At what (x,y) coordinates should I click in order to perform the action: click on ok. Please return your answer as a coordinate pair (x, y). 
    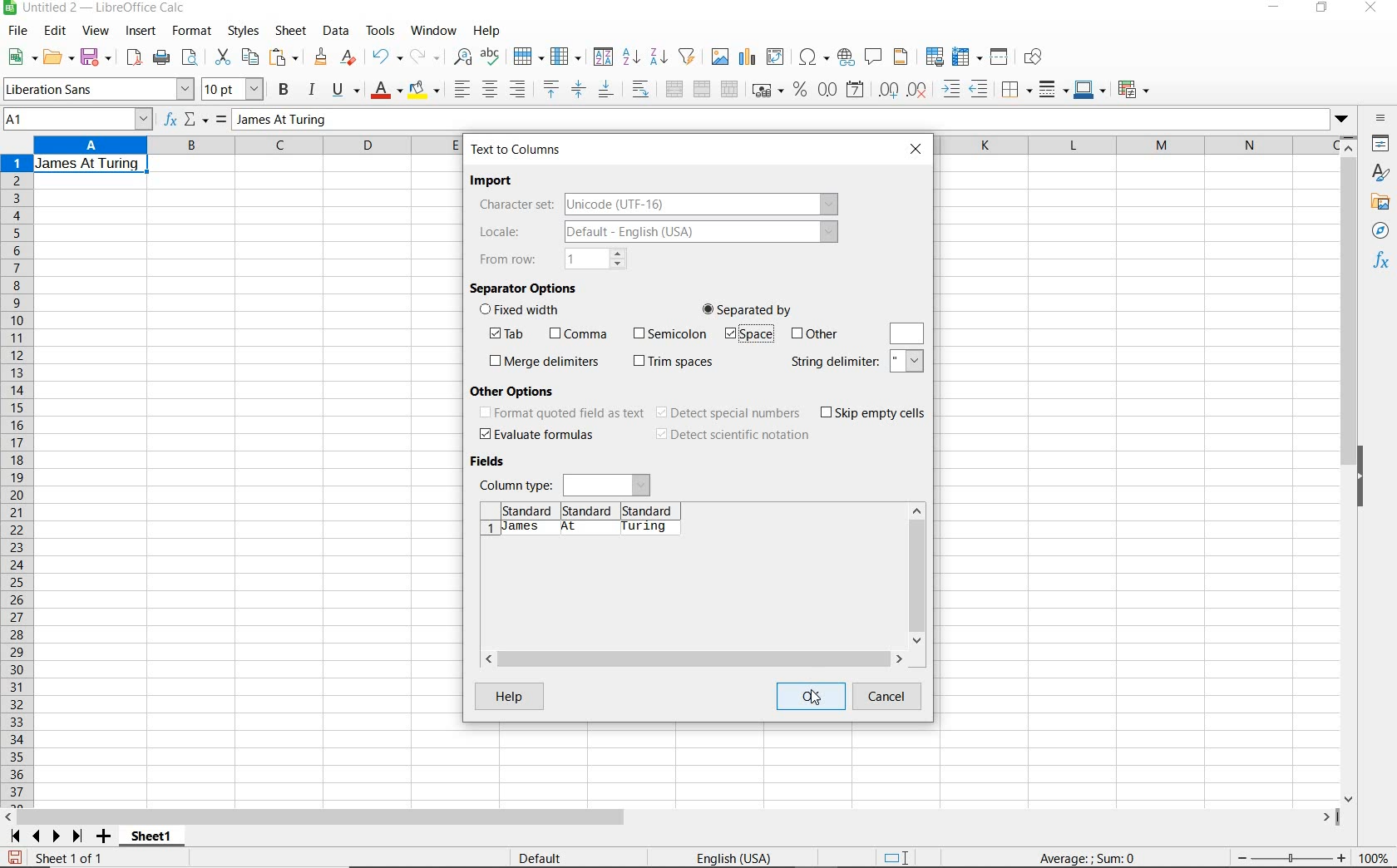
    Looking at the image, I should click on (809, 696).